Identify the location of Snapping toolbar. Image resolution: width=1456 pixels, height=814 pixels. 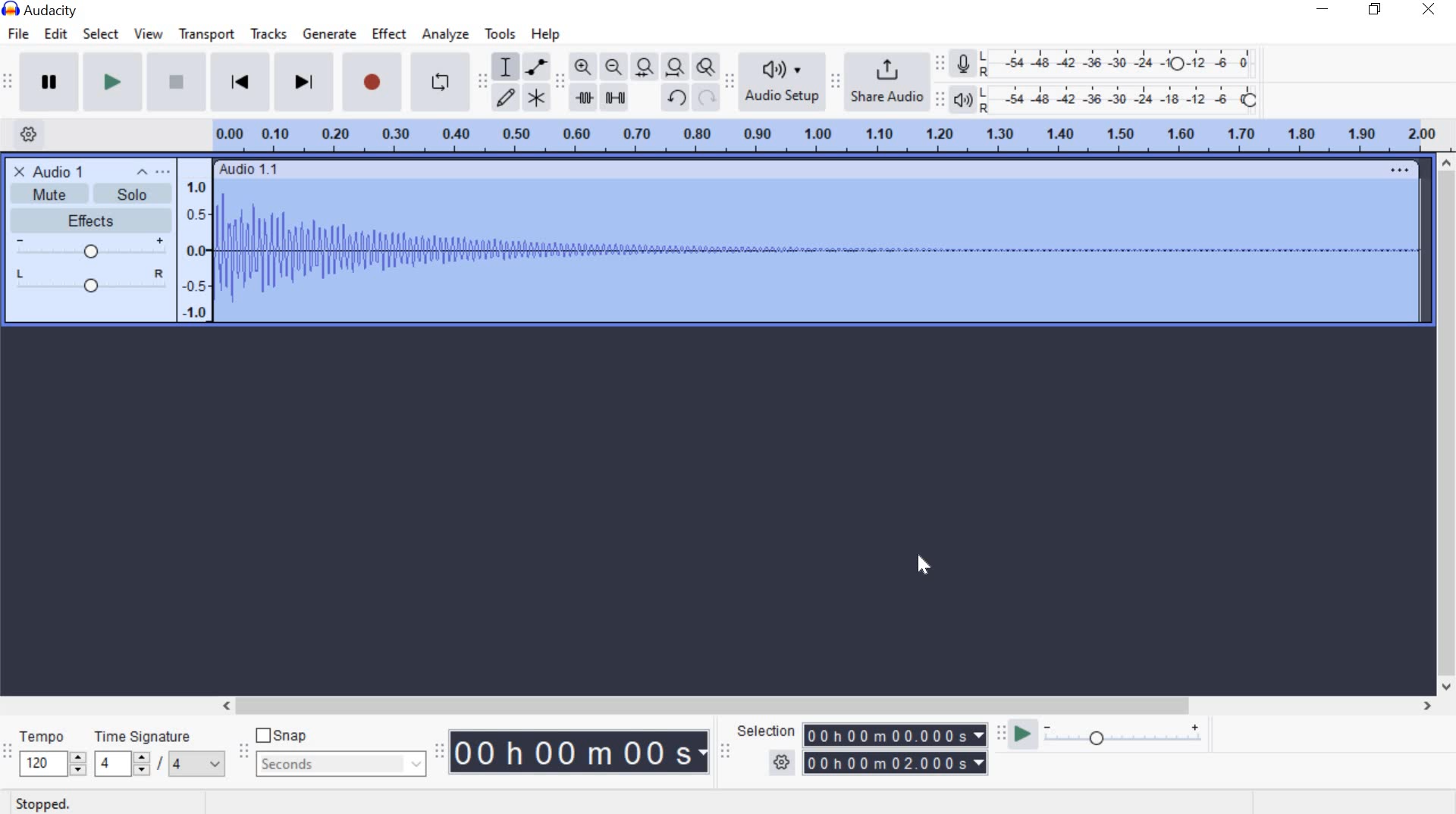
(247, 753).